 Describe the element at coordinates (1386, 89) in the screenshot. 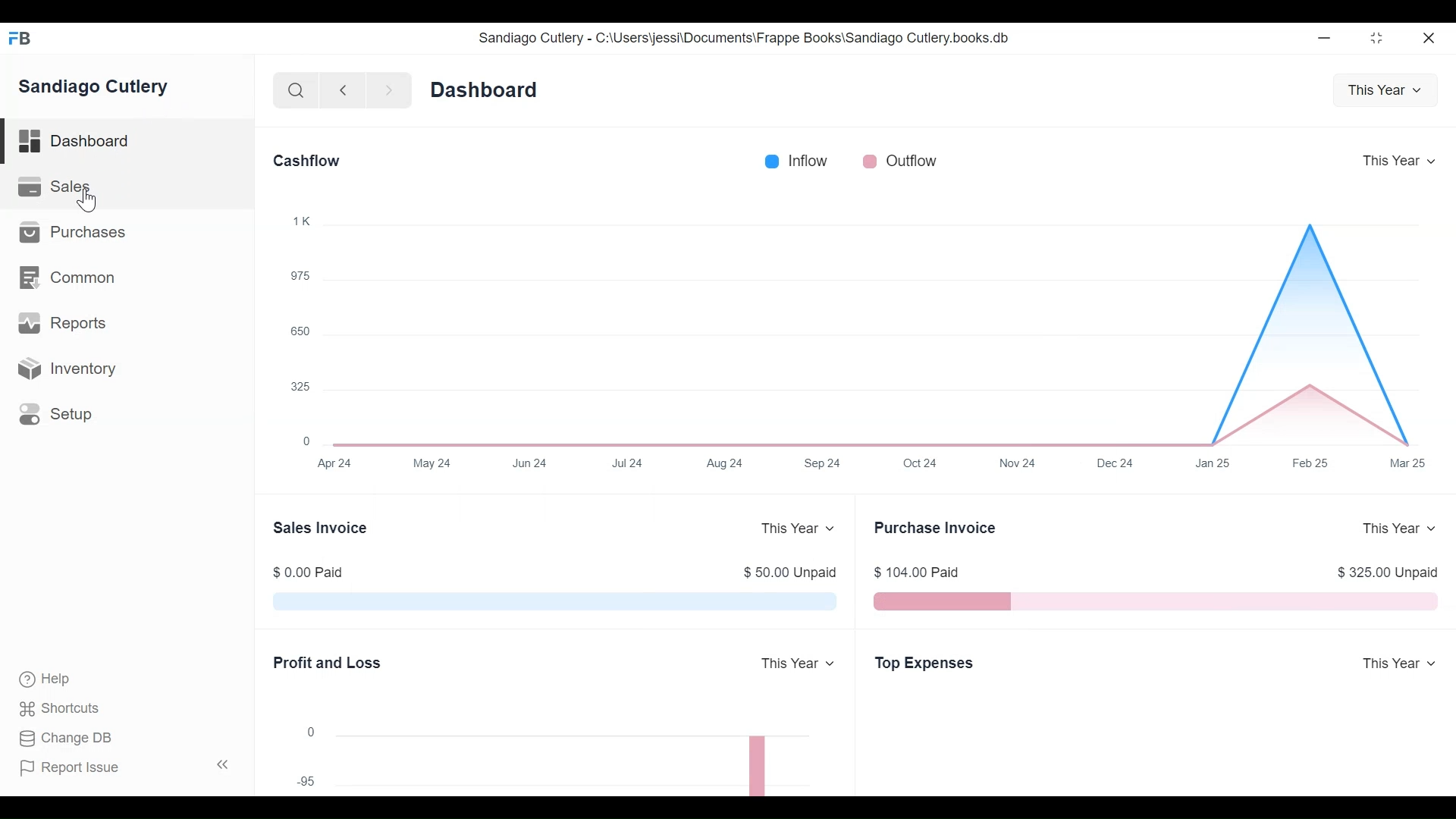

I see `This Year ` at that location.